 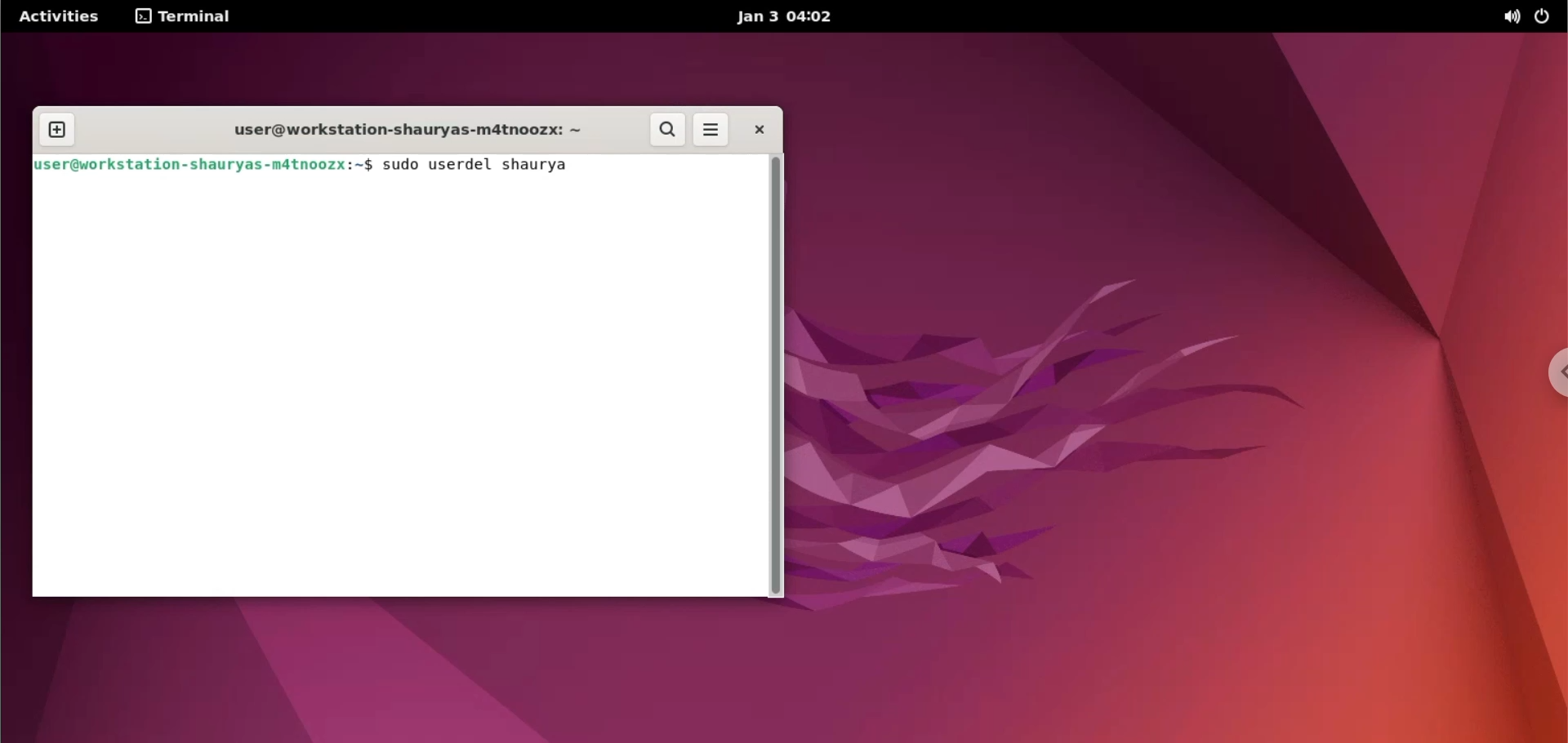 What do you see at coordinates (712, 129) in the screenshot?
I see `more options` at bounding box center [712, 129].